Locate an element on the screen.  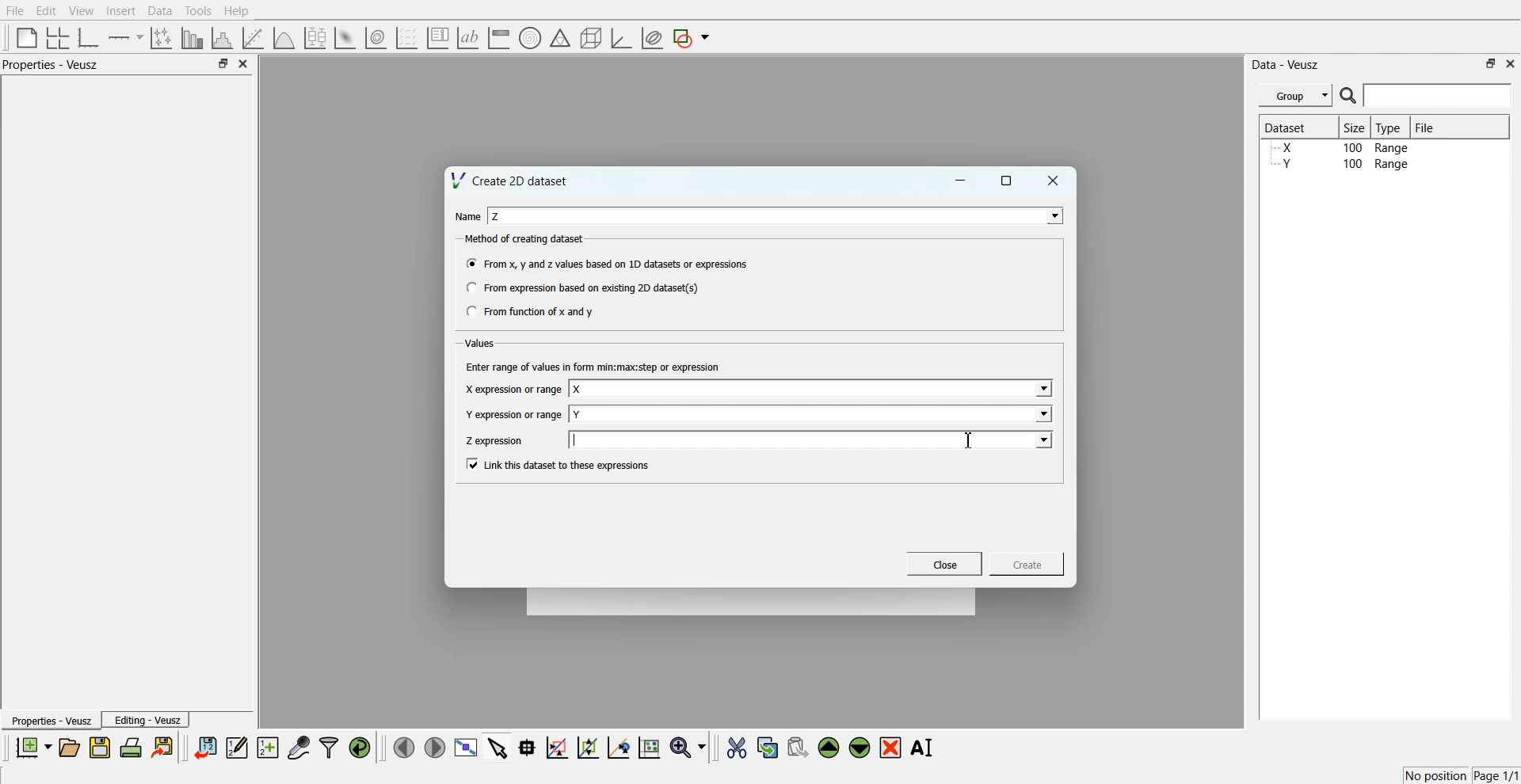
Print the document is located at coordinates (130, 747).